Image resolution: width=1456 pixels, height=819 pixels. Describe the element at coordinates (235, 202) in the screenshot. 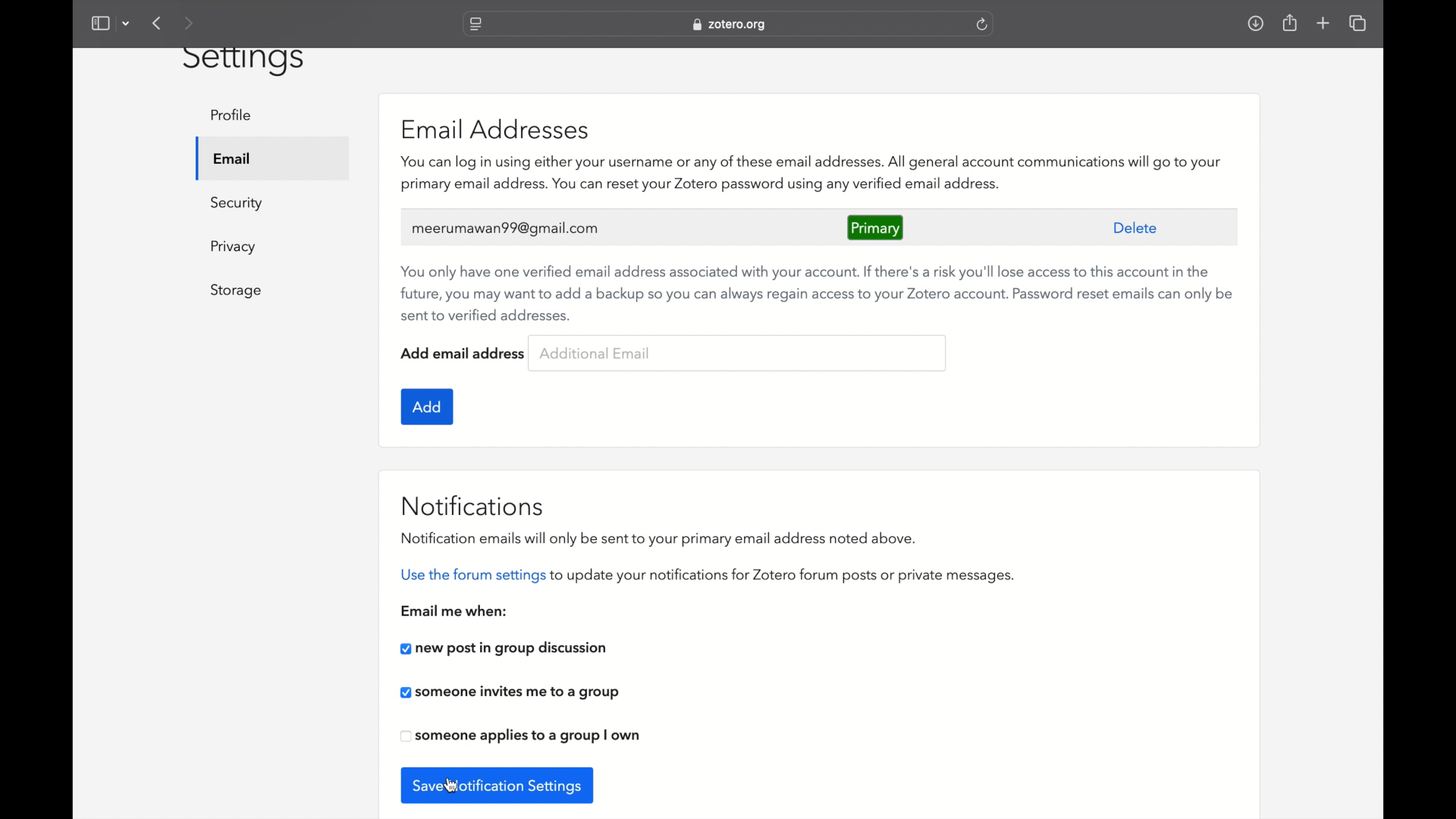

I see `security` at that location.